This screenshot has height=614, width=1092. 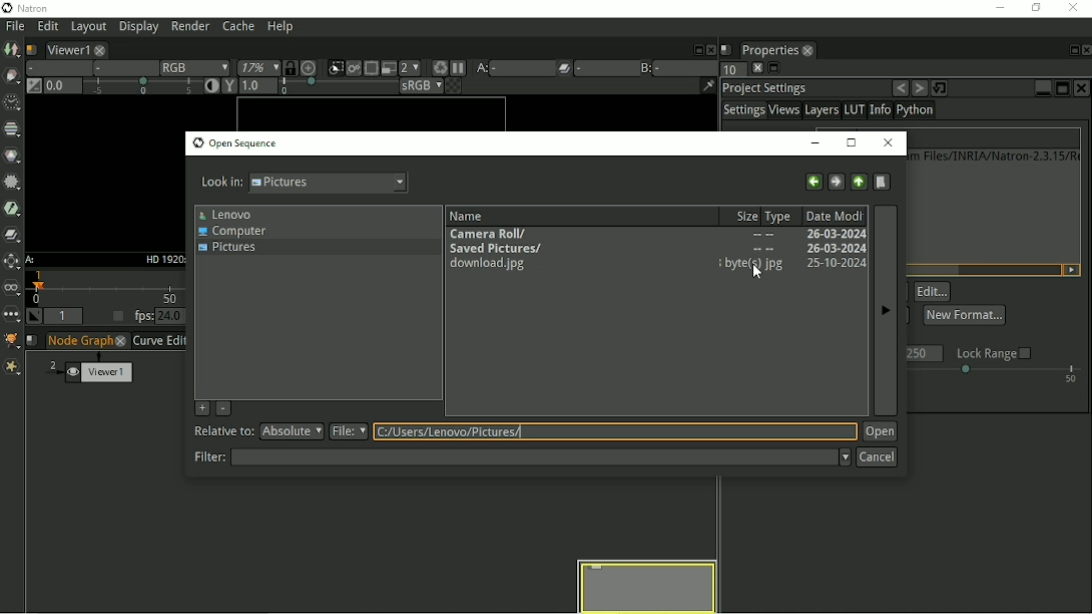 What do you see at coordinates (757, 272) in the screenshot?
I see `cursor` at bounding box center [757, 272].